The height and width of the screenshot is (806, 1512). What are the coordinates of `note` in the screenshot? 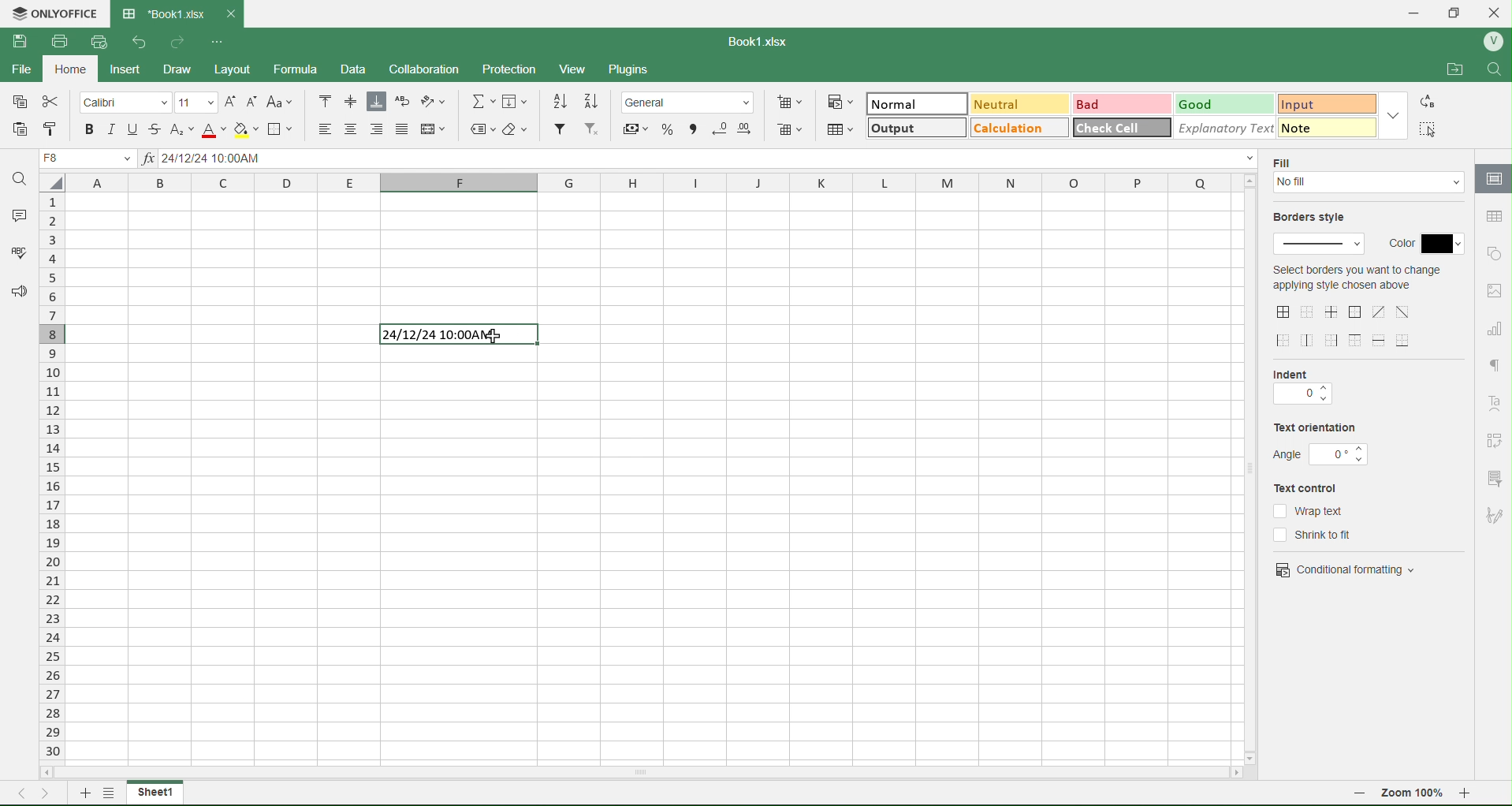 It's located at (1316, 127).